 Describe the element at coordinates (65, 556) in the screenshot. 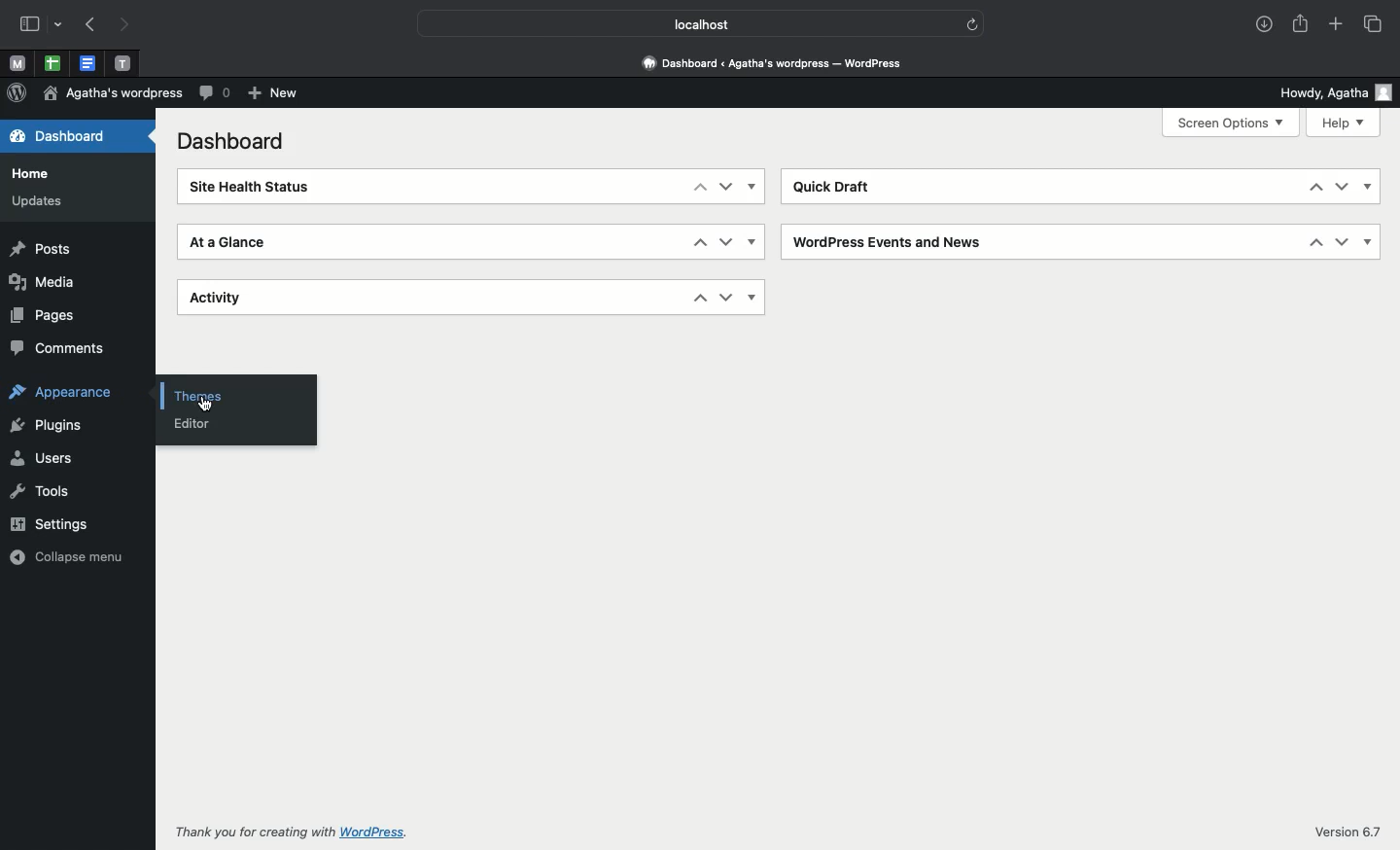

I see `Collapse menu` at that location.